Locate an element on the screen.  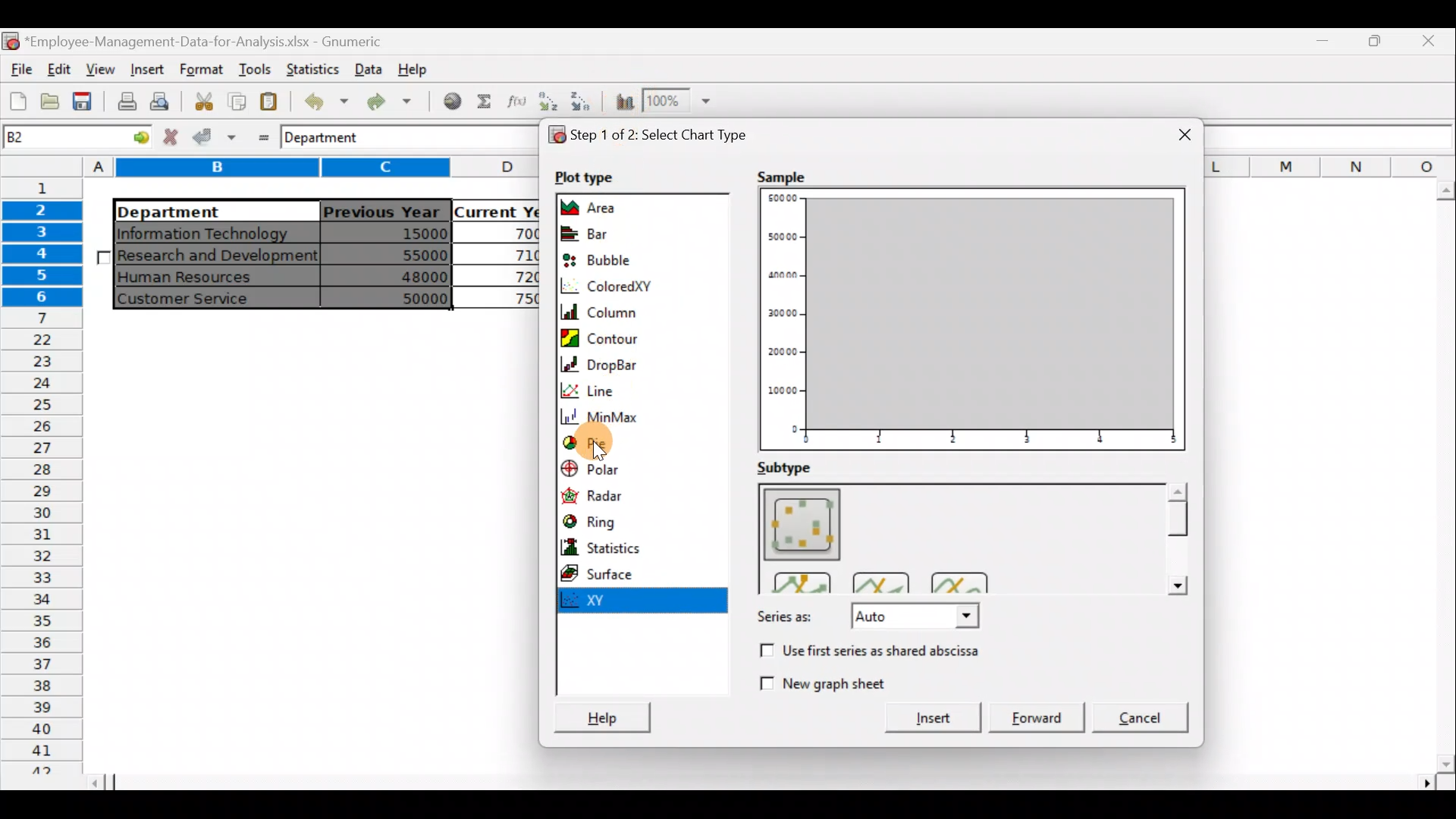
Line is located at coordinates (632, 388).